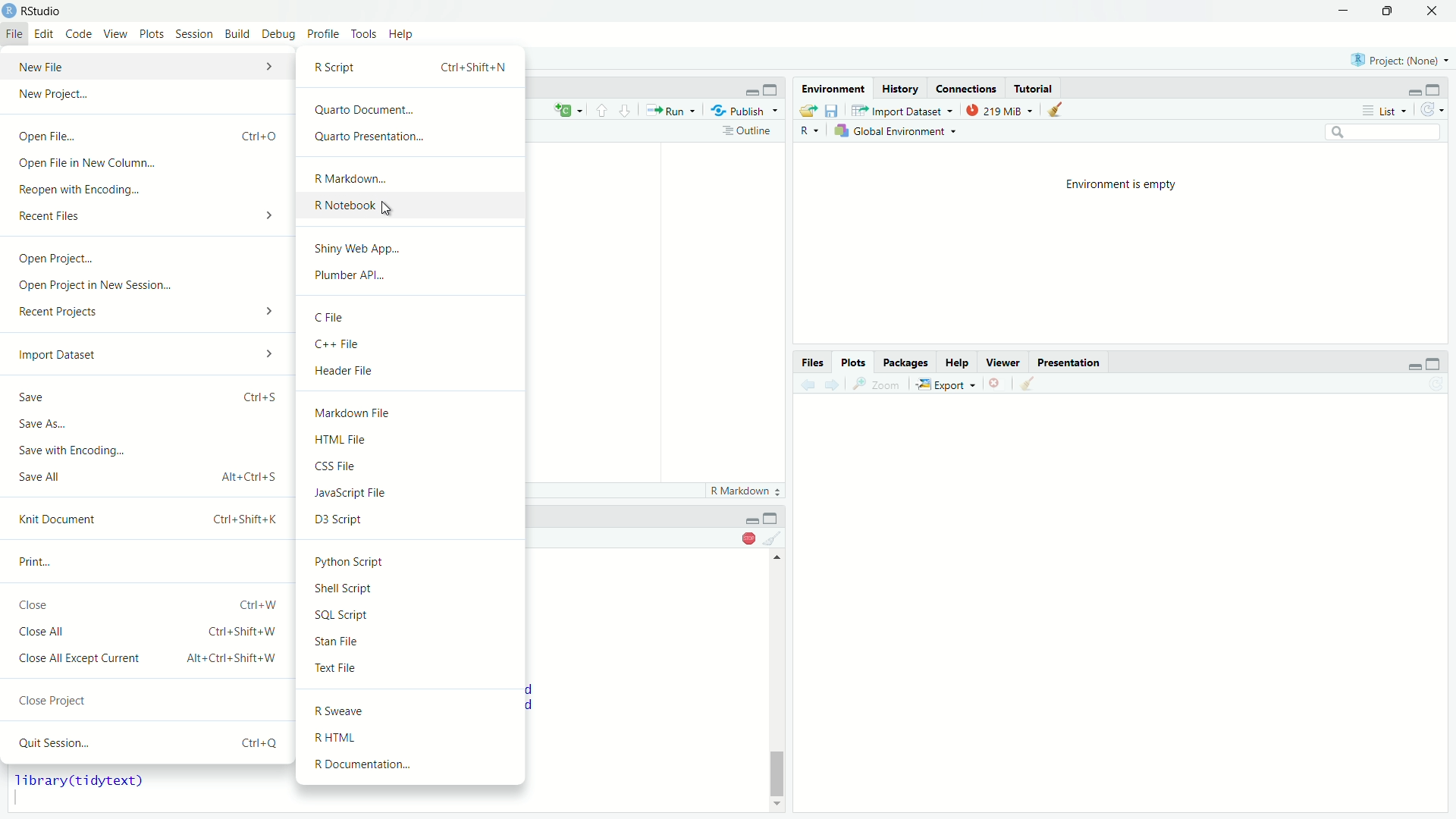  What do you see at coordinates (745, 111) in the screenshot?
I see `publish` at bounding box center [745, 111].